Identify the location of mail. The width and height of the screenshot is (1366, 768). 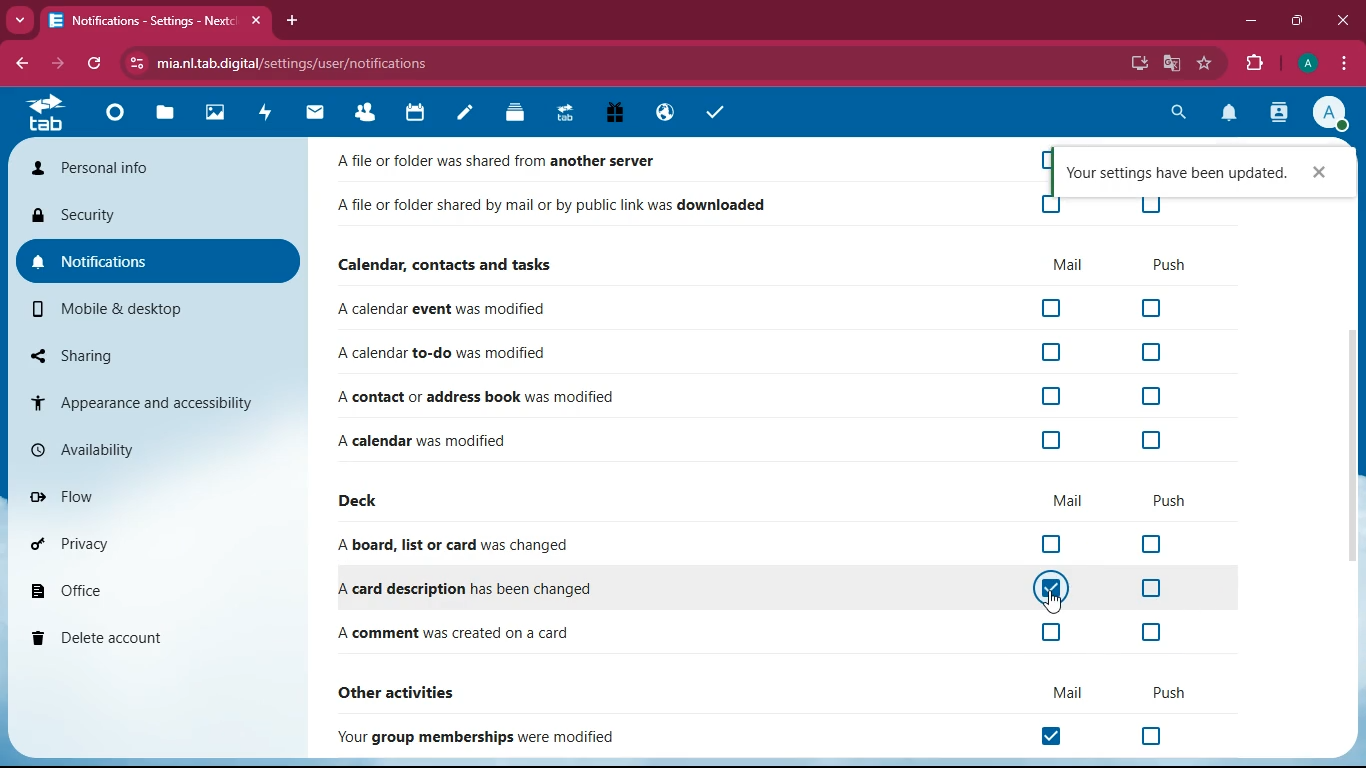
(1069, 500).